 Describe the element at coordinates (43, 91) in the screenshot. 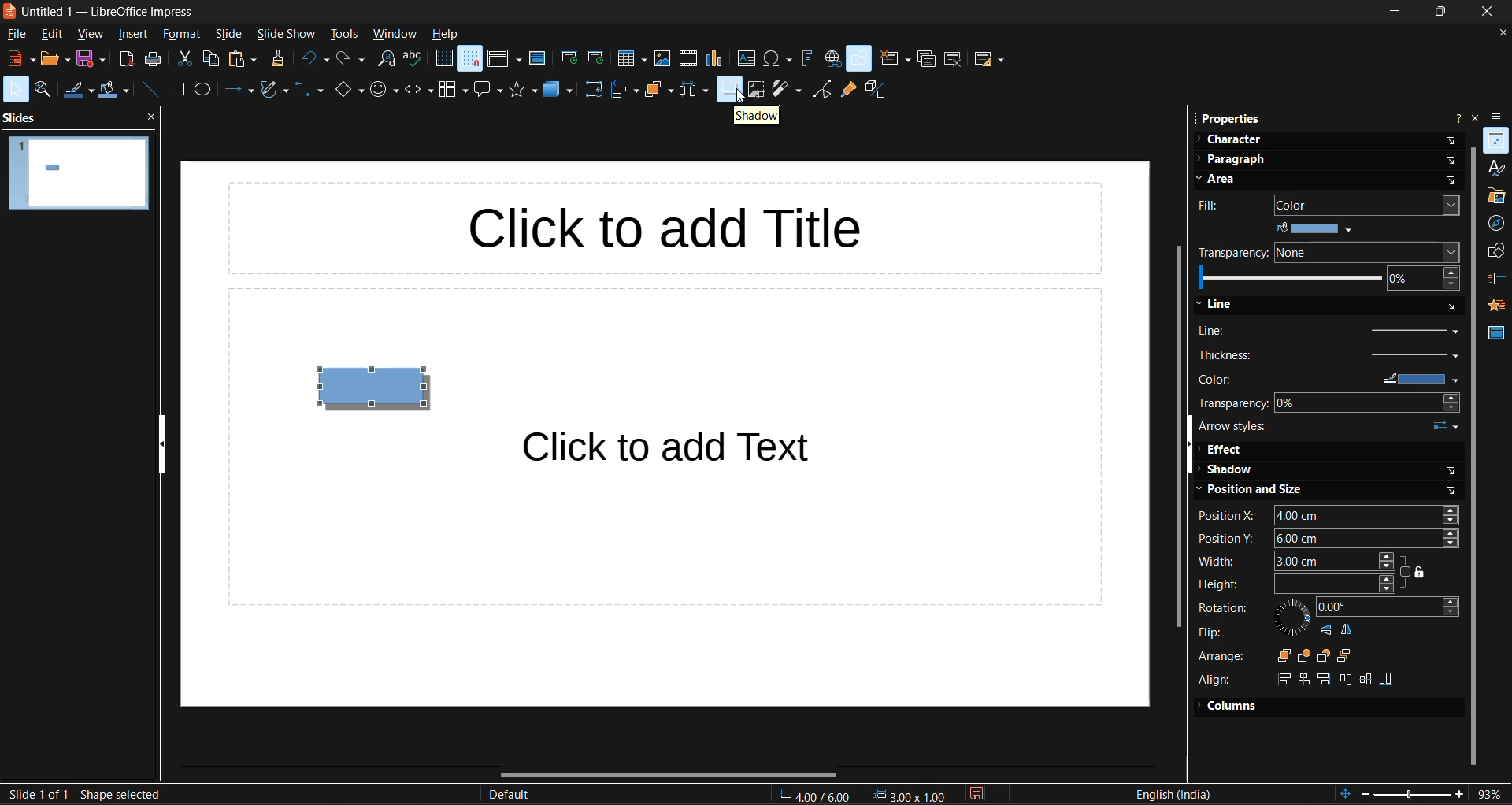

I see `zoom and pan` at that location.